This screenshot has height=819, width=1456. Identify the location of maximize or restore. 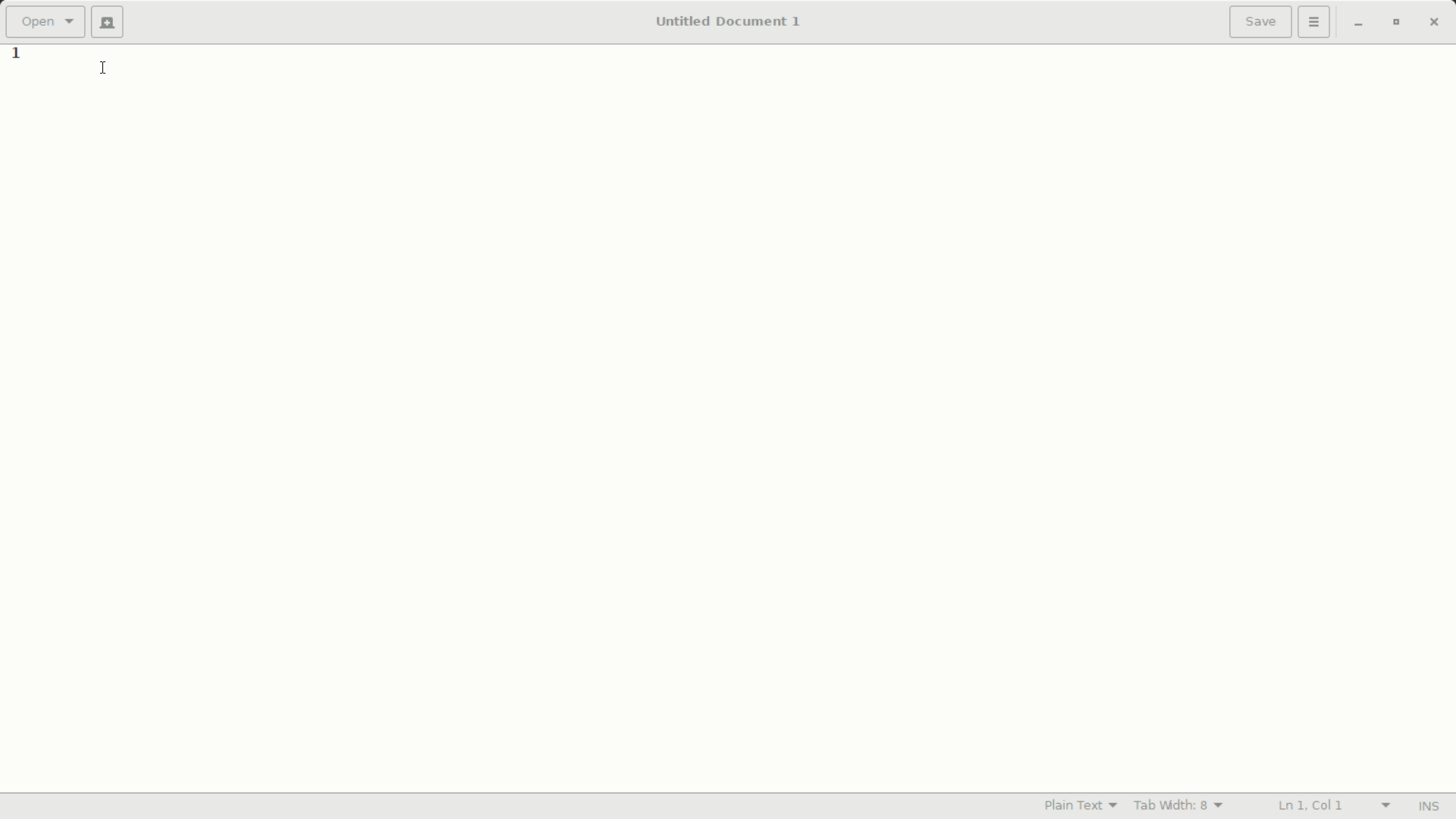
(1401, 24).